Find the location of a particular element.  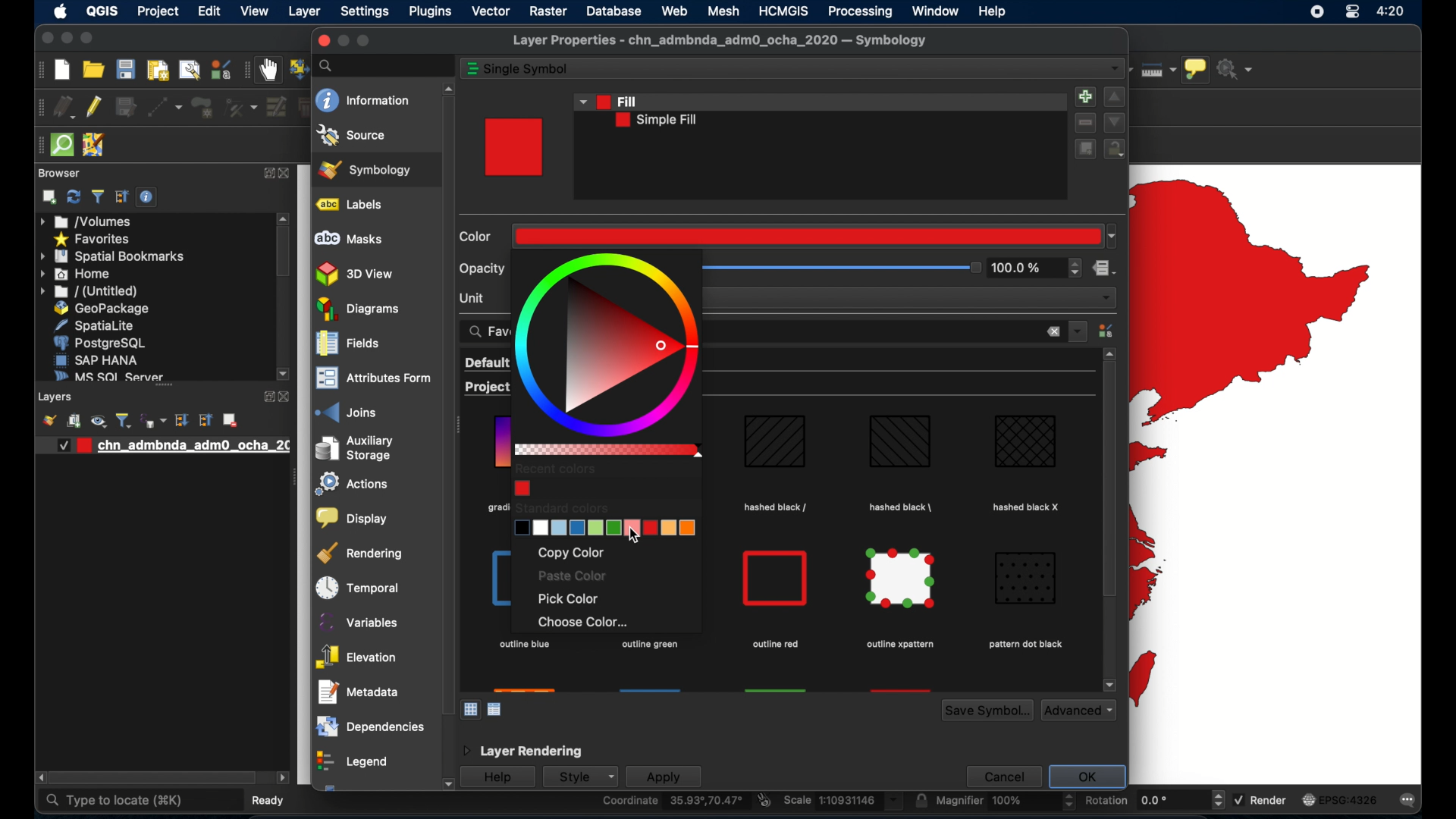

rotation is located at coordinates (1144, 802).